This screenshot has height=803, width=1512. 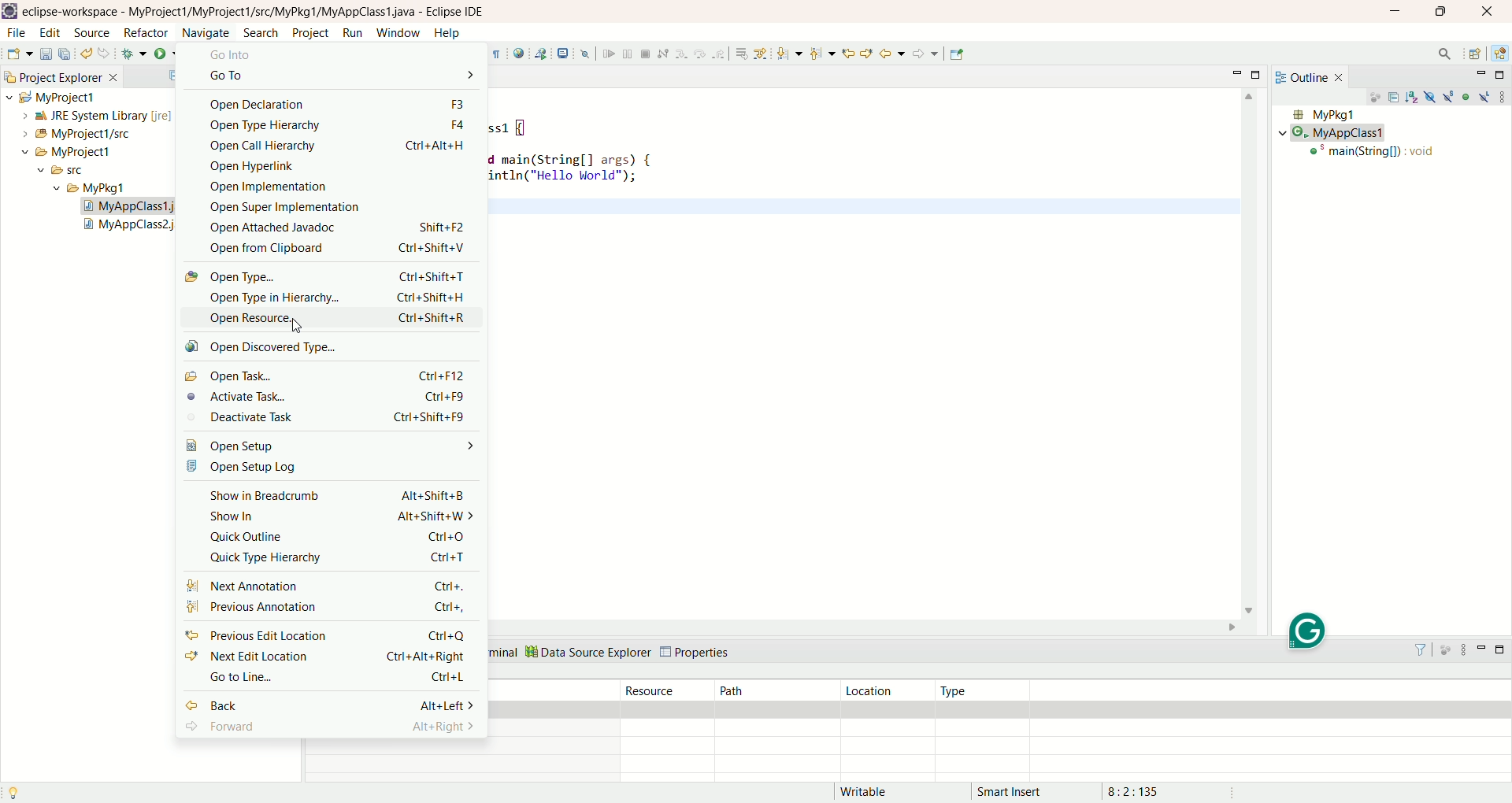 What do you see at coordinates (1486, 96) in the screenshot?
I see `hide local type` at bounding box center [1486, 96].